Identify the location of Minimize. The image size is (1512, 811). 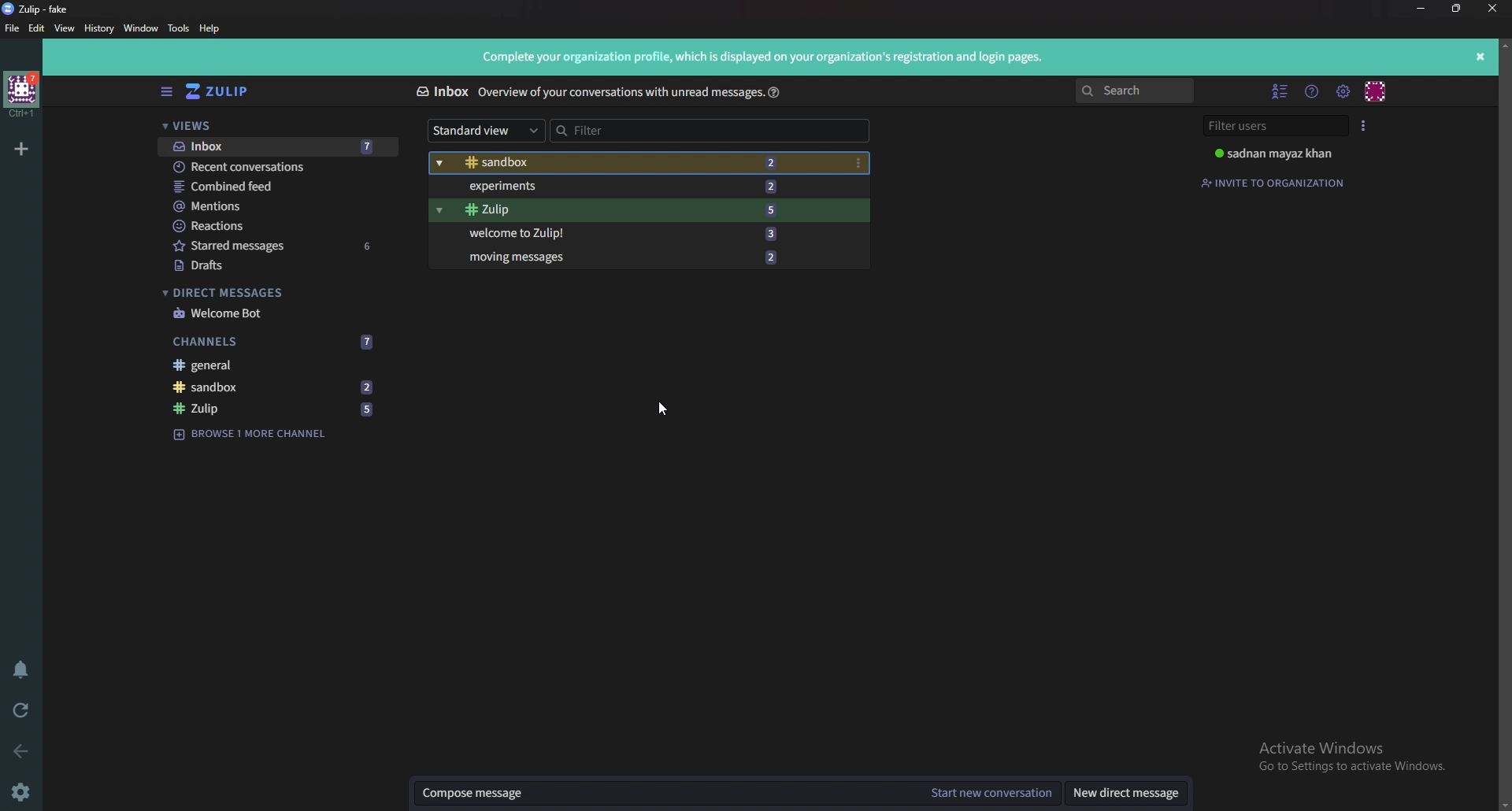
(1422, 9).